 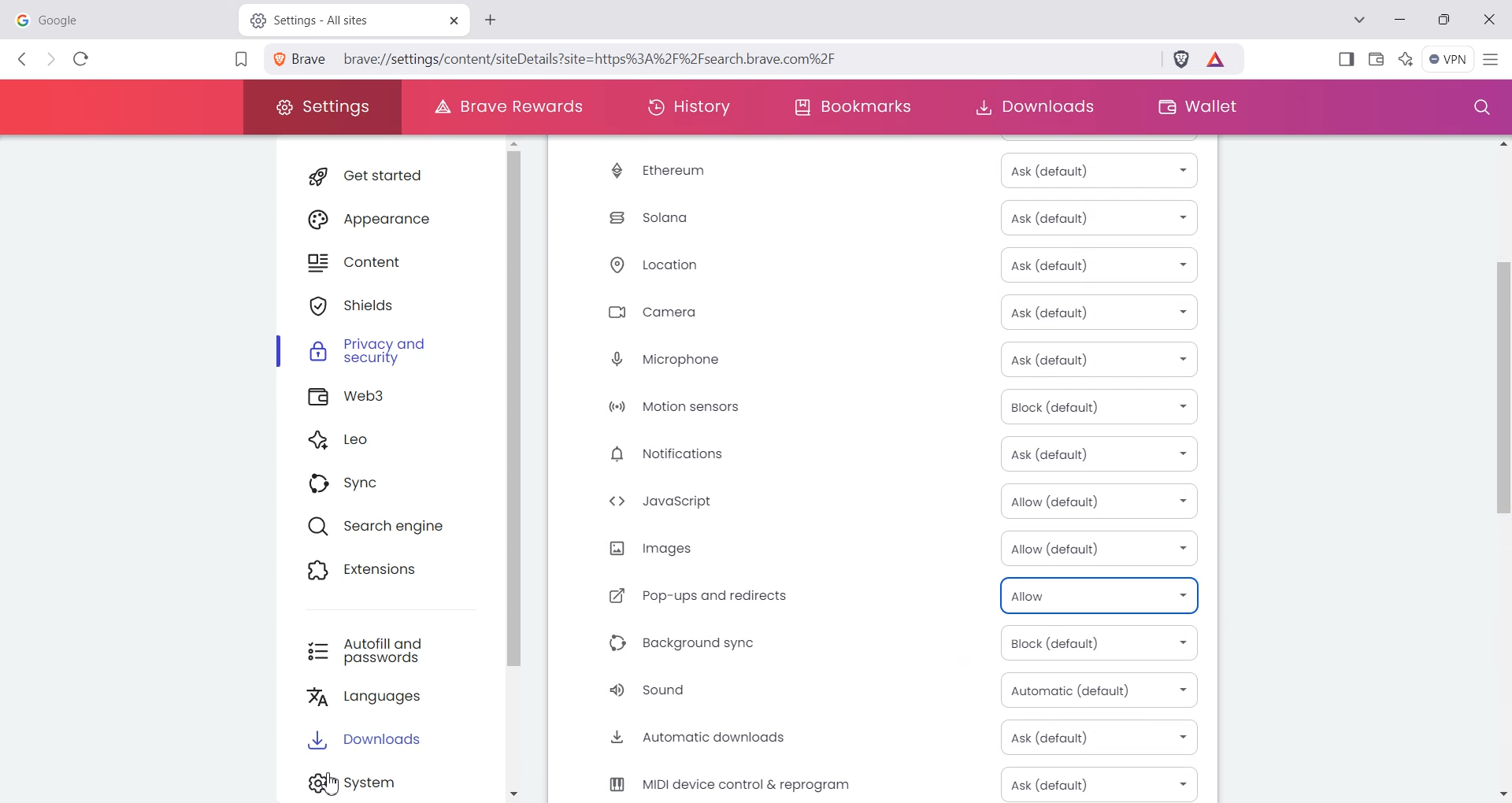 I want to click on Wallet, so click(x=1377, y=57).